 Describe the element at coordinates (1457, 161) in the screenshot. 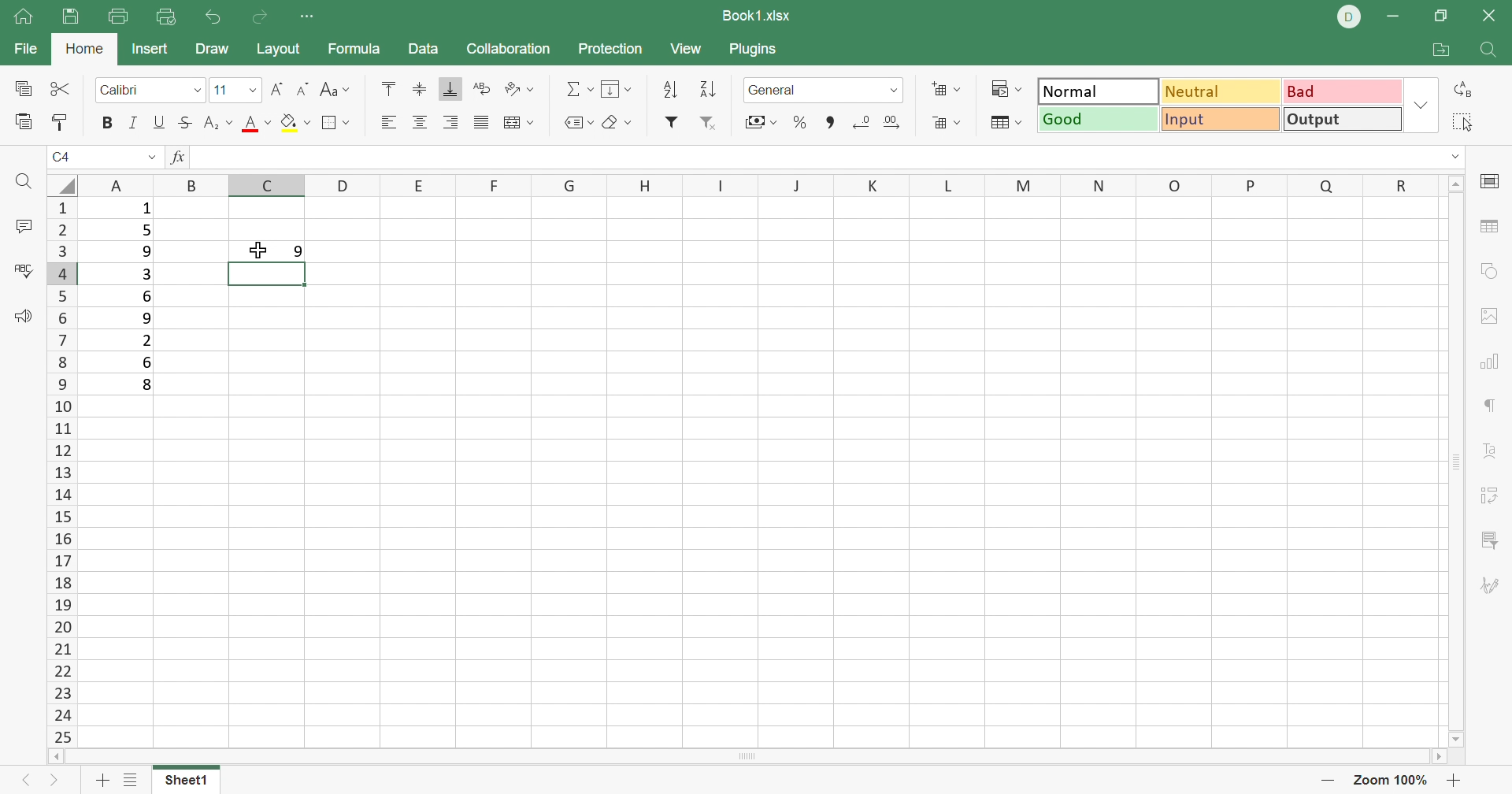

I see `Drop Down` at that location.